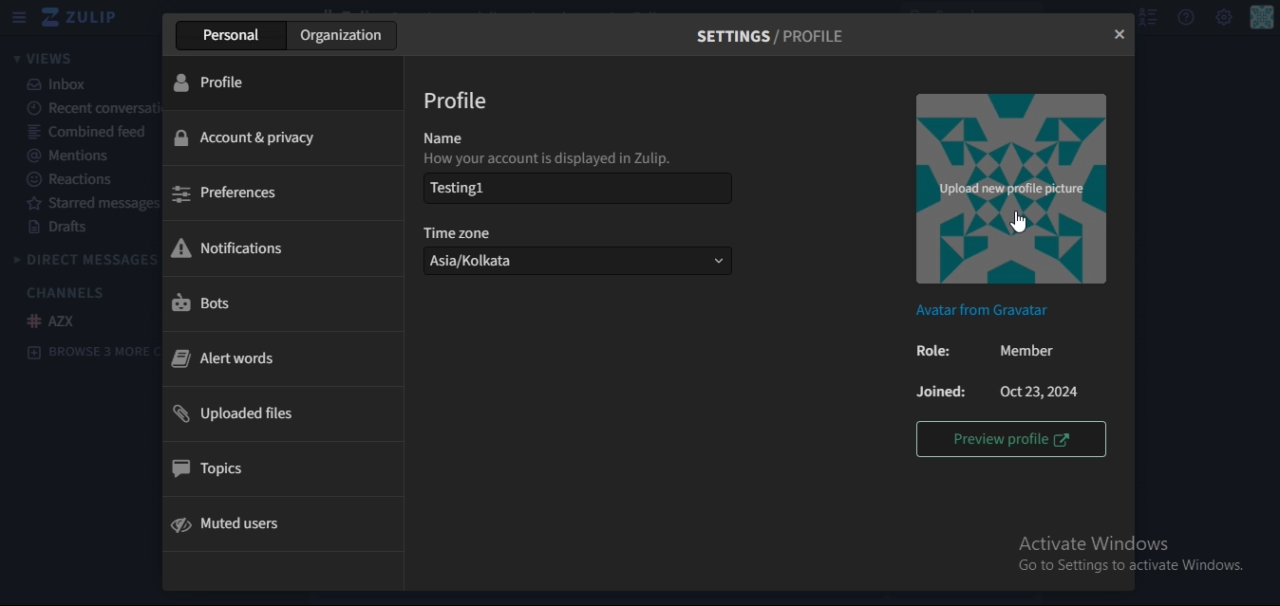  What do you see at coordinates (1224, 19) in the screenshot?
I see `main menu` at bounding box center [1224, 19].